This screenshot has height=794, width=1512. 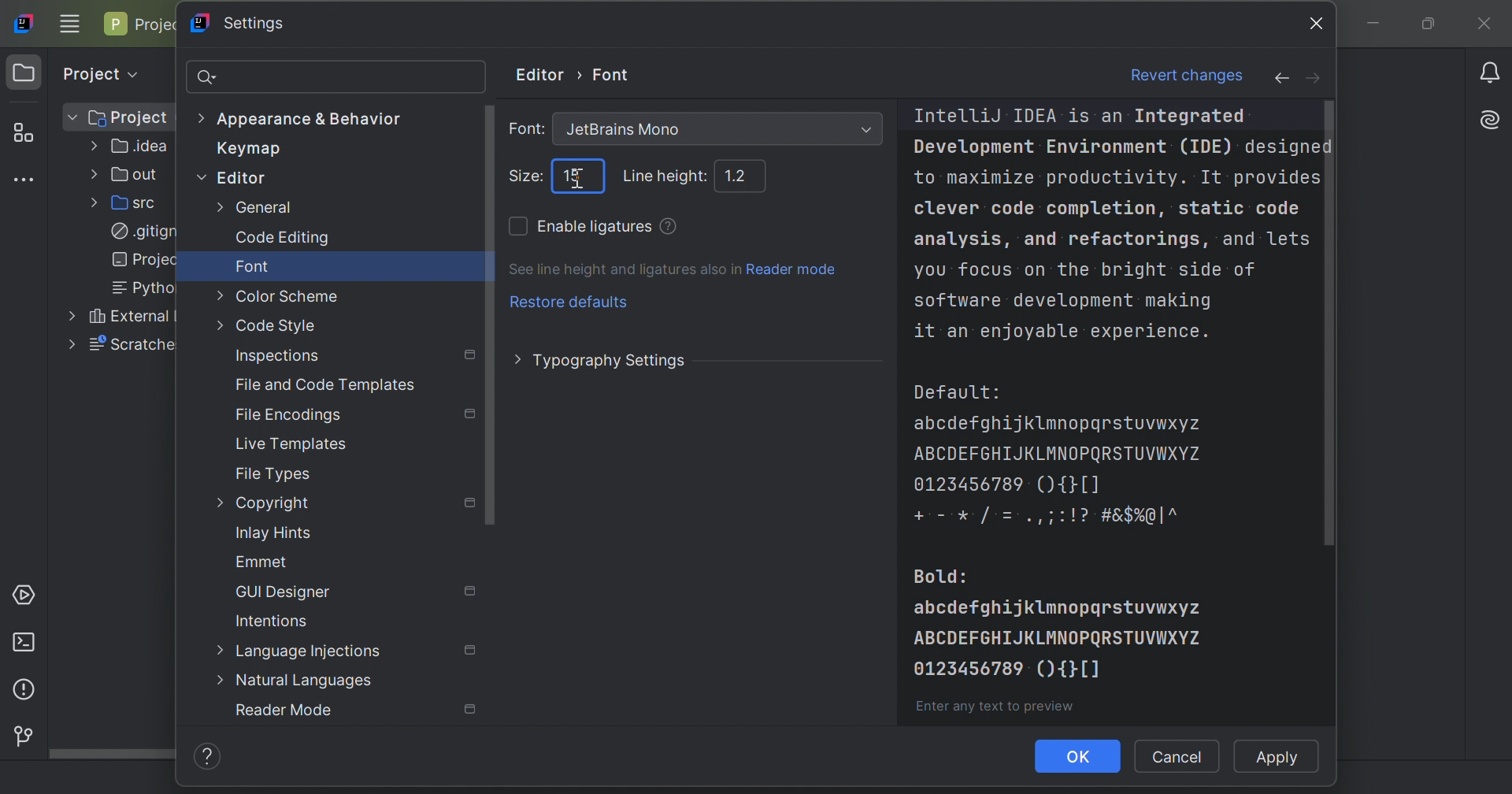 I want to click on Settings marked with this icon are only applied to the current project. Non-marked settings are applied to all projects., so click(x=472, y=711).